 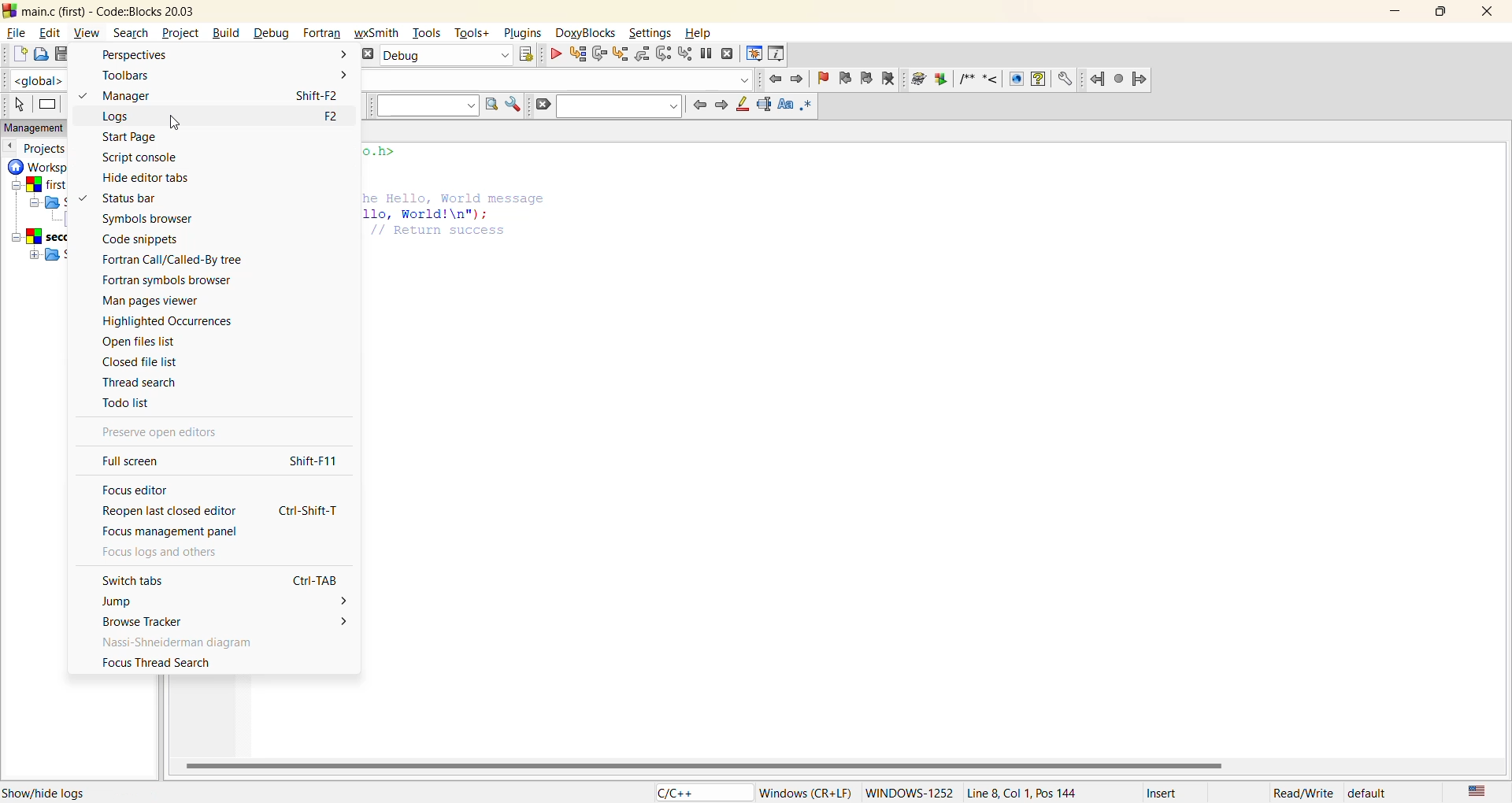 I want to click on next line, so click(x=598, y=54).